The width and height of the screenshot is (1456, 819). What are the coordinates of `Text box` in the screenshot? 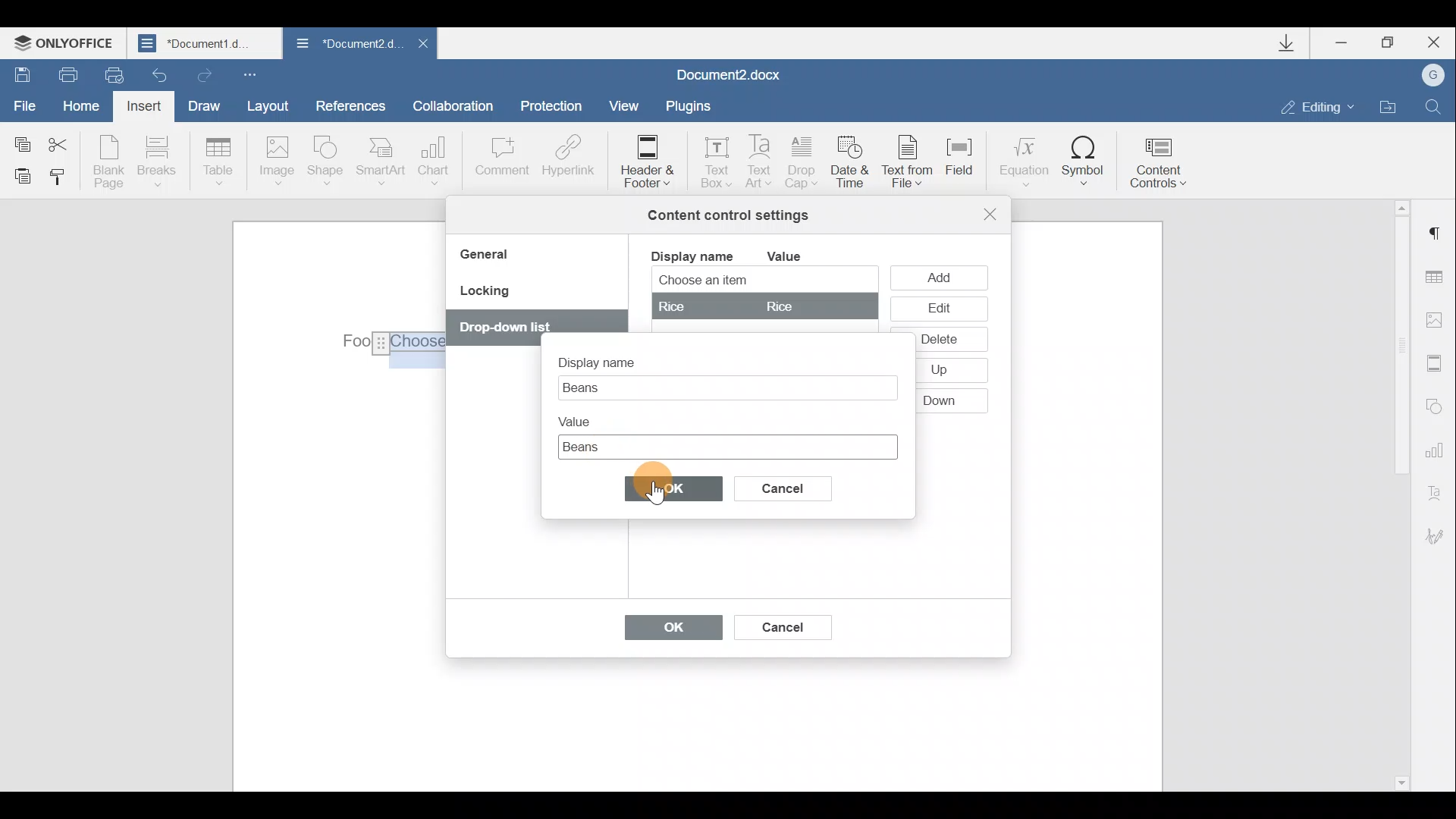 It's located at (711, 158).